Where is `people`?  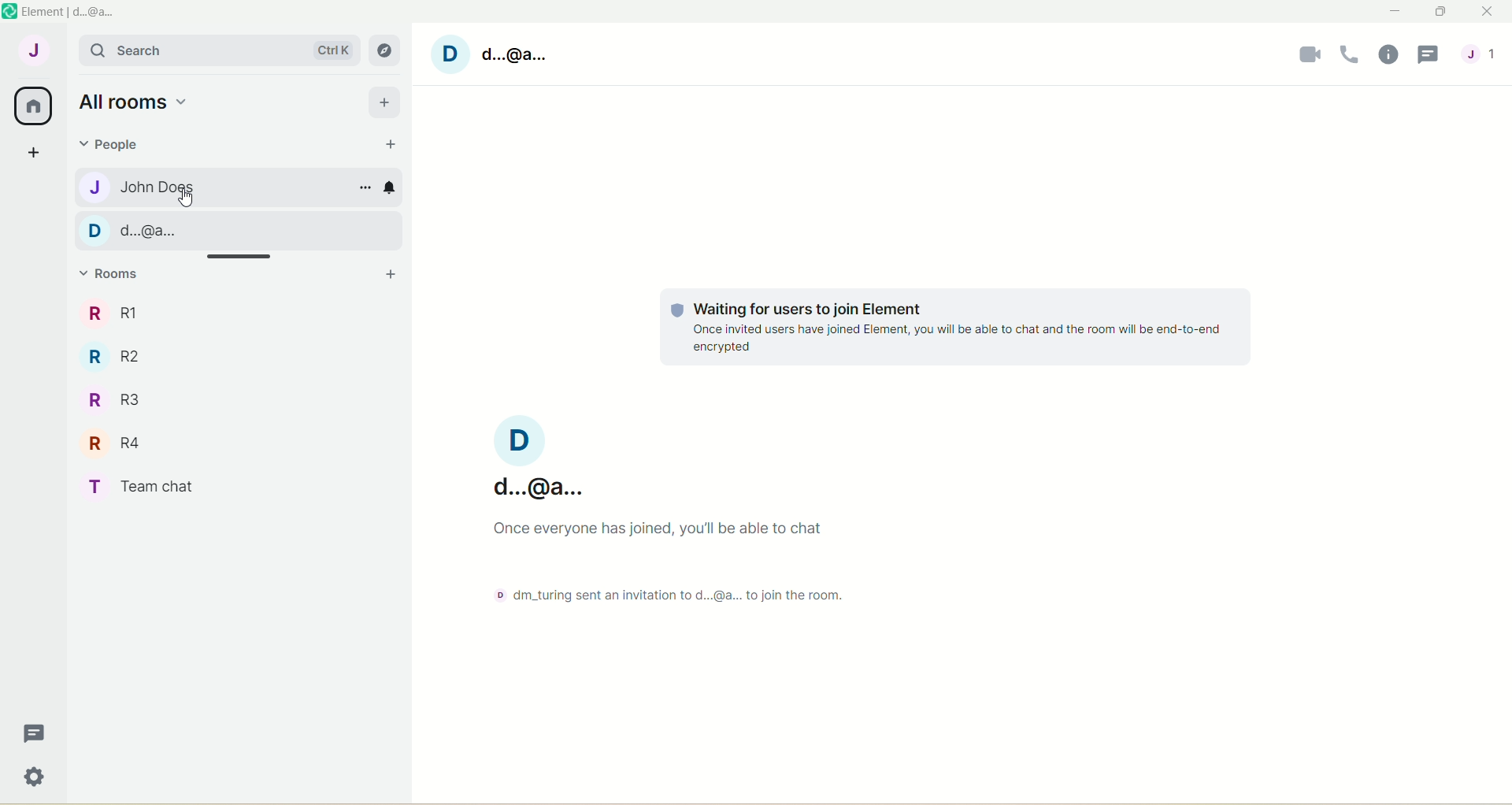 people is located at coordinates (116, 147).